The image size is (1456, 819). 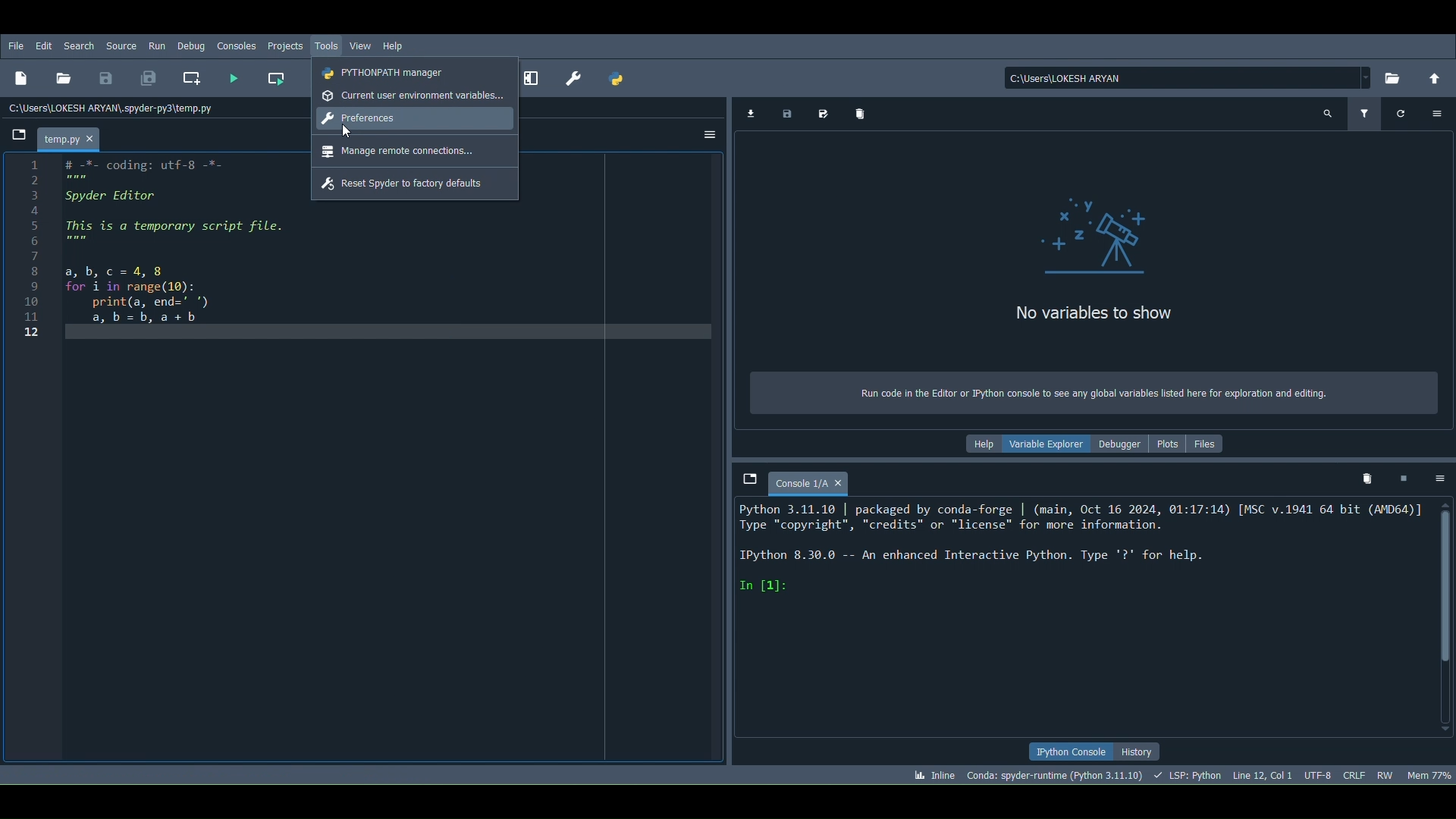 I want to click on IPython console, so click(x=1072, y=750).